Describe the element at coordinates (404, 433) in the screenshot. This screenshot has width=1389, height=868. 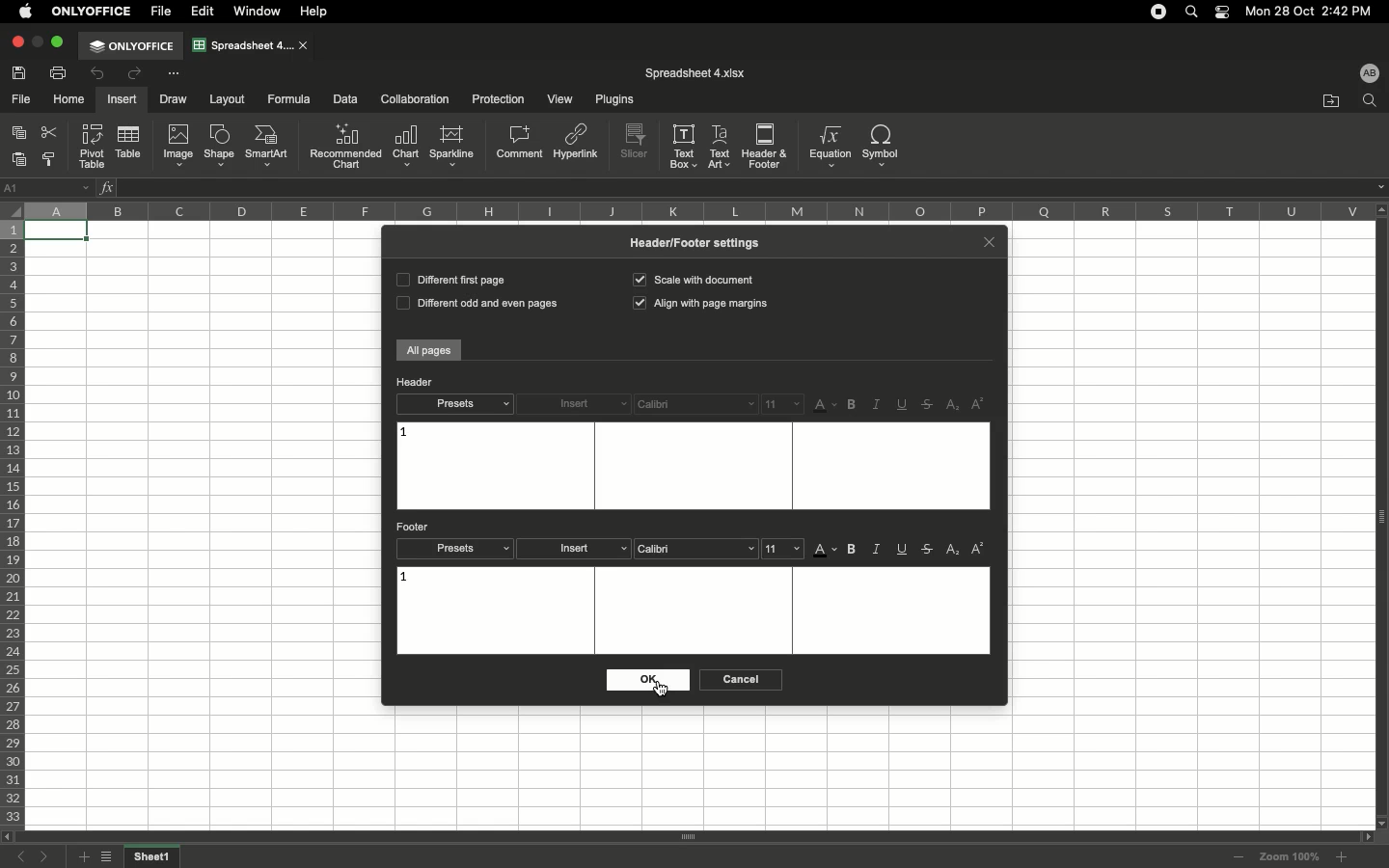
I see `Header text` at that location.